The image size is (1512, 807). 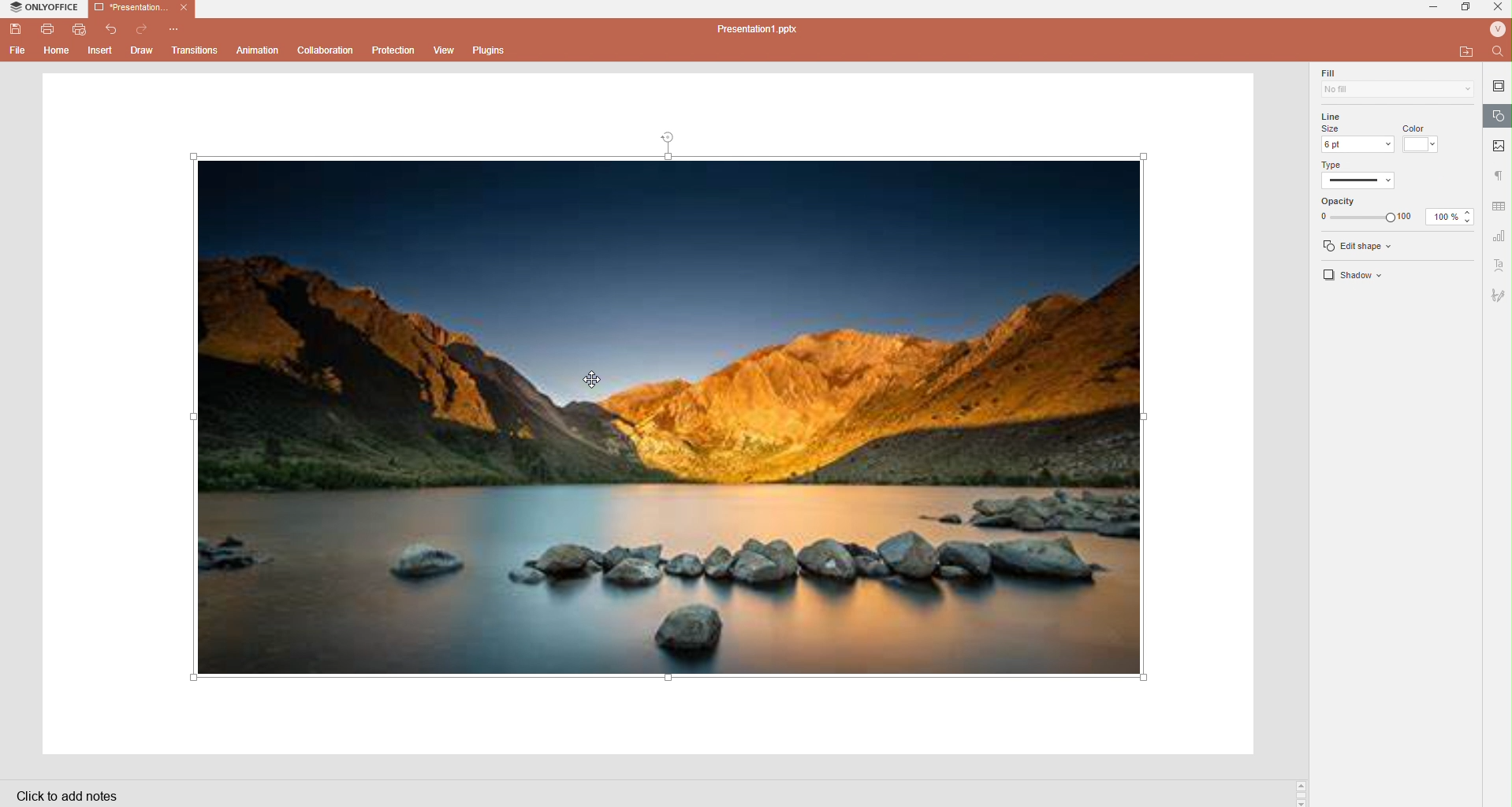 I want to click on Close, so click(x=1499, y=9).